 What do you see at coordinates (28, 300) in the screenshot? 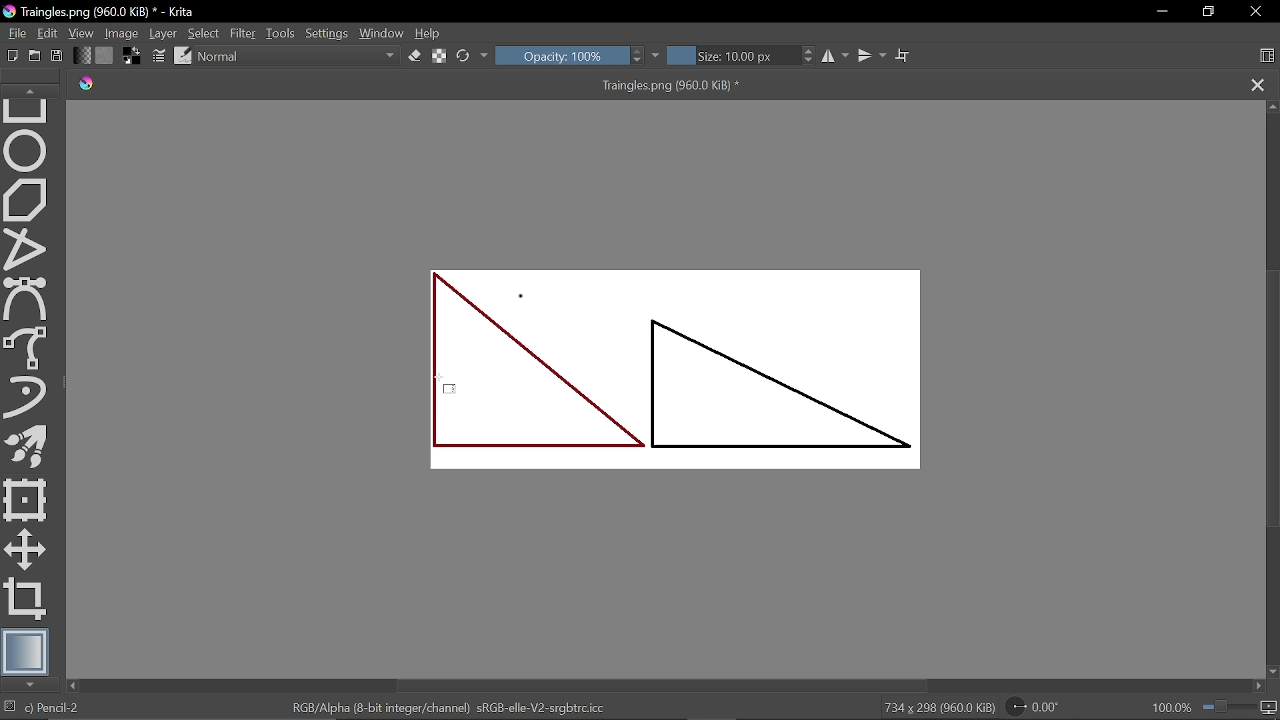
I see `Bezier curve tool` at bounding box center [28, 300].